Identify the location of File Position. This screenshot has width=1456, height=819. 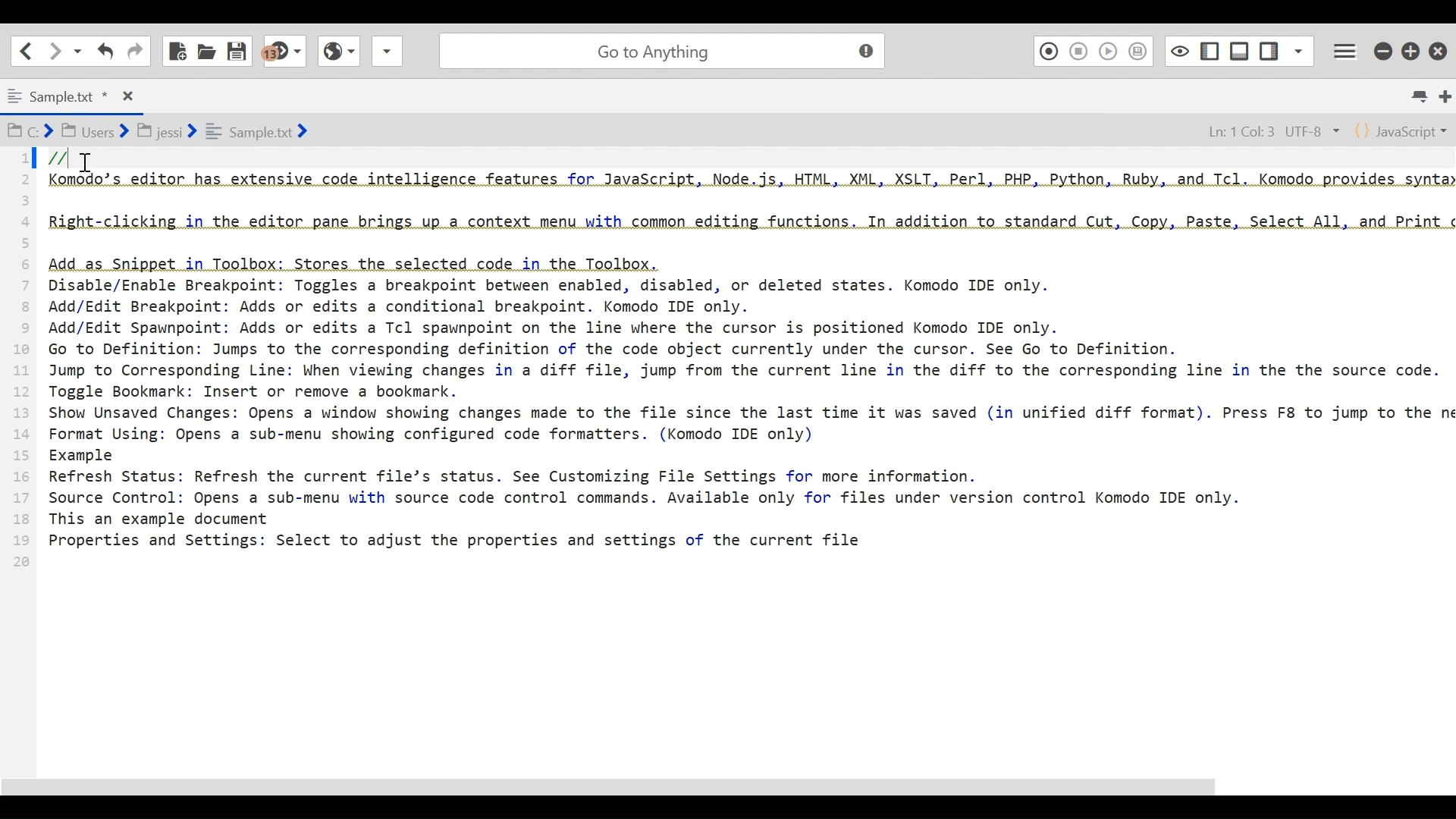
(1263, 129).